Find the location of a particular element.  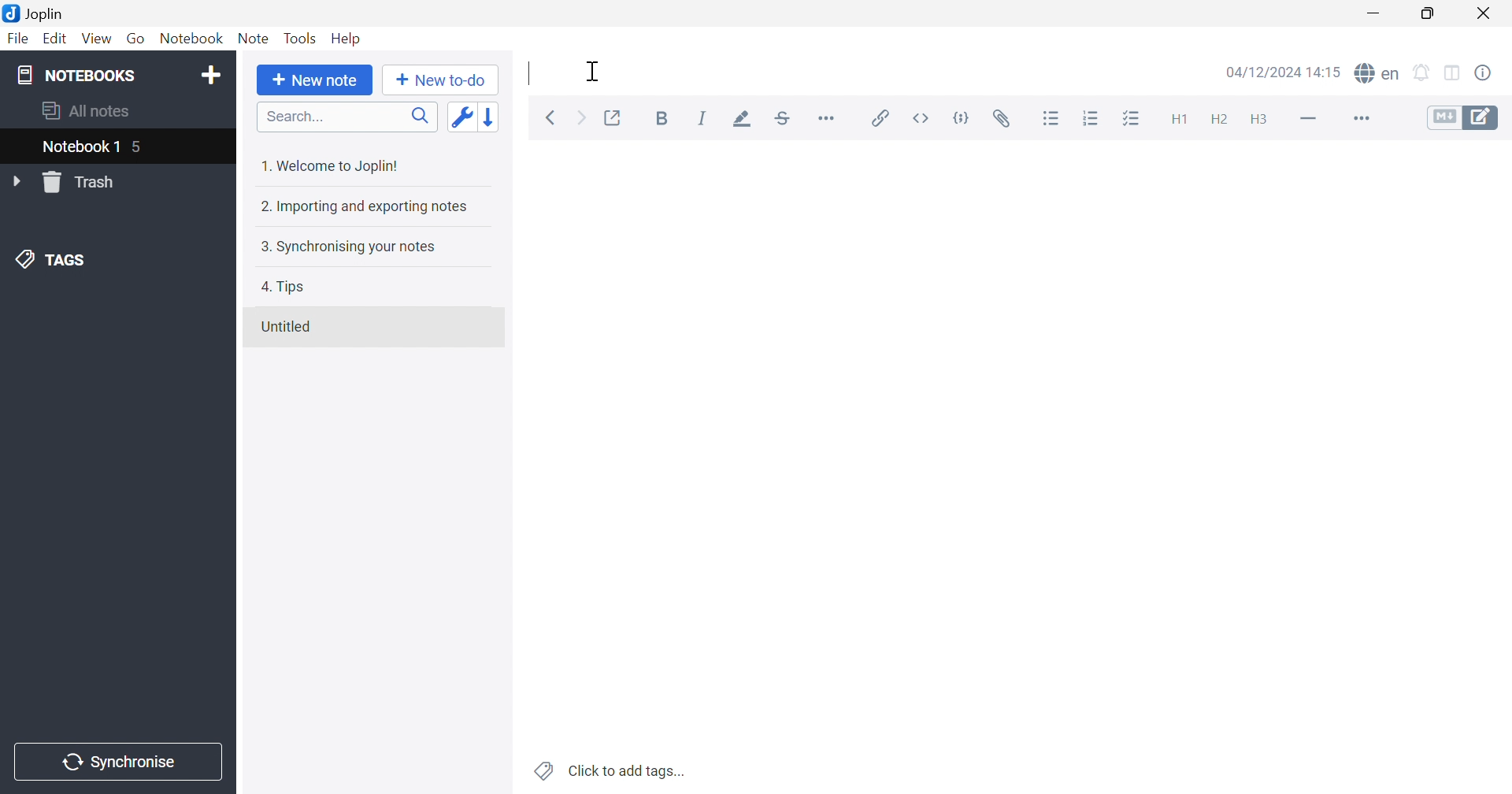

3. Synchronising your notes is located at coordinates (344, 246).